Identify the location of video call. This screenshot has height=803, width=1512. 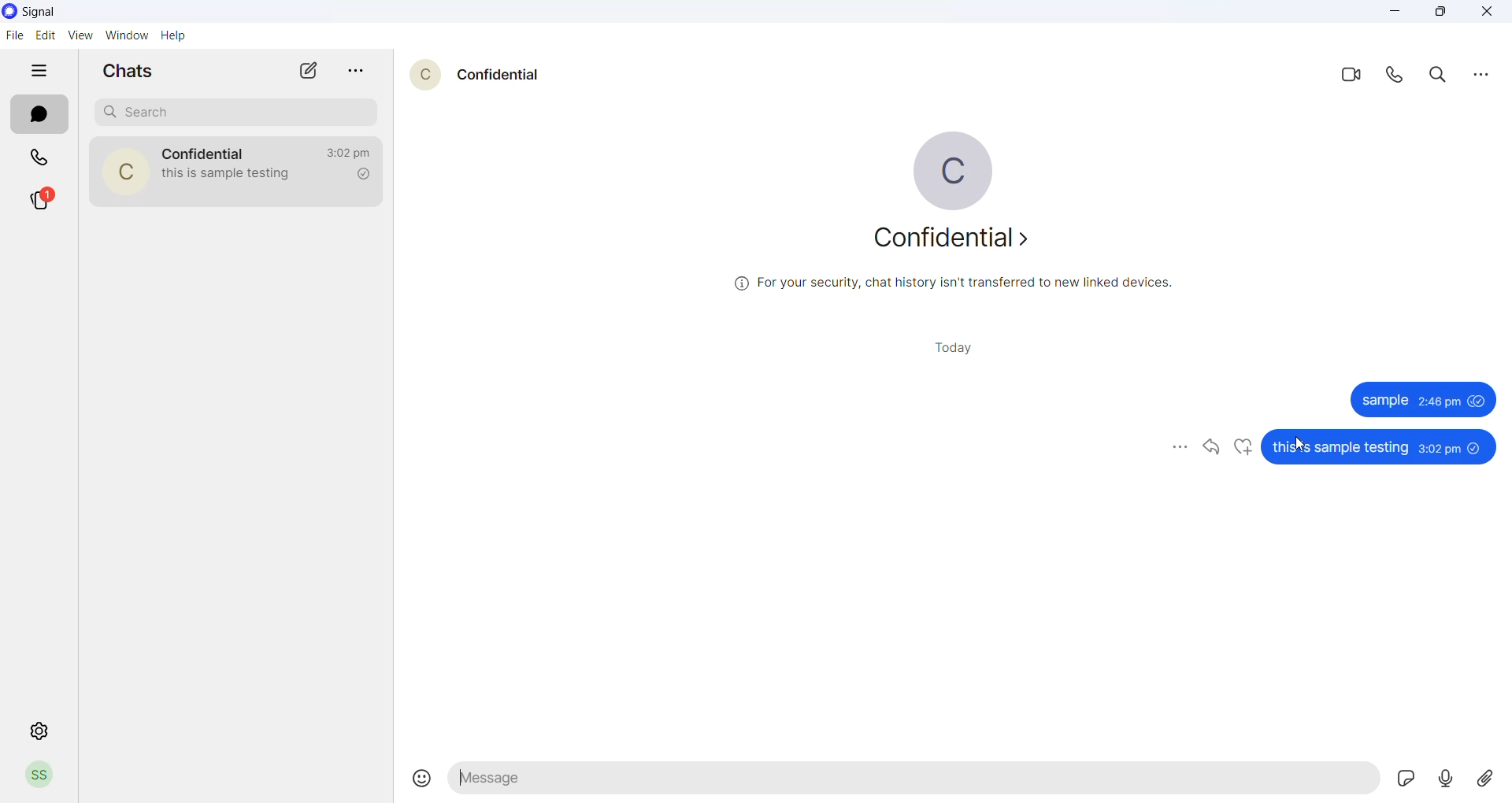
(1348, 78).